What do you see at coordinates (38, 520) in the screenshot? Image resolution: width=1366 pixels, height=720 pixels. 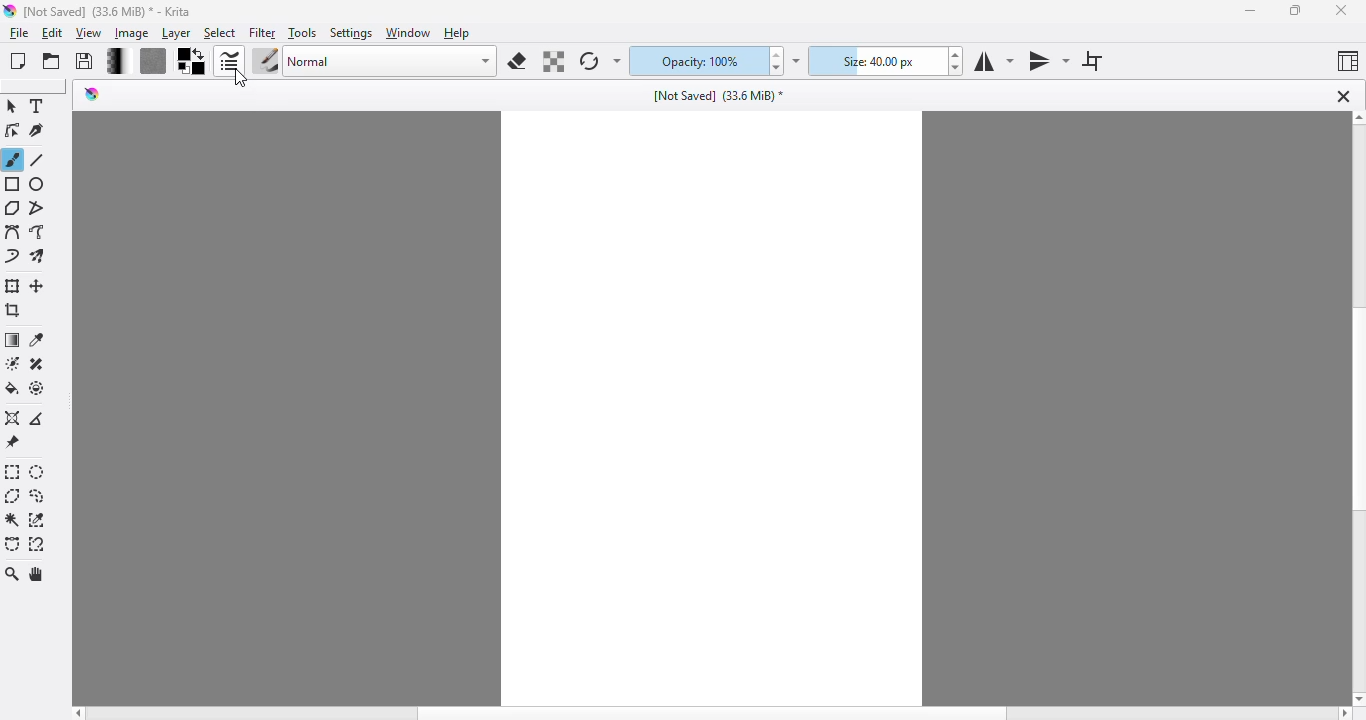 I see `similar color selection tool` at bounding box center [38, 520].